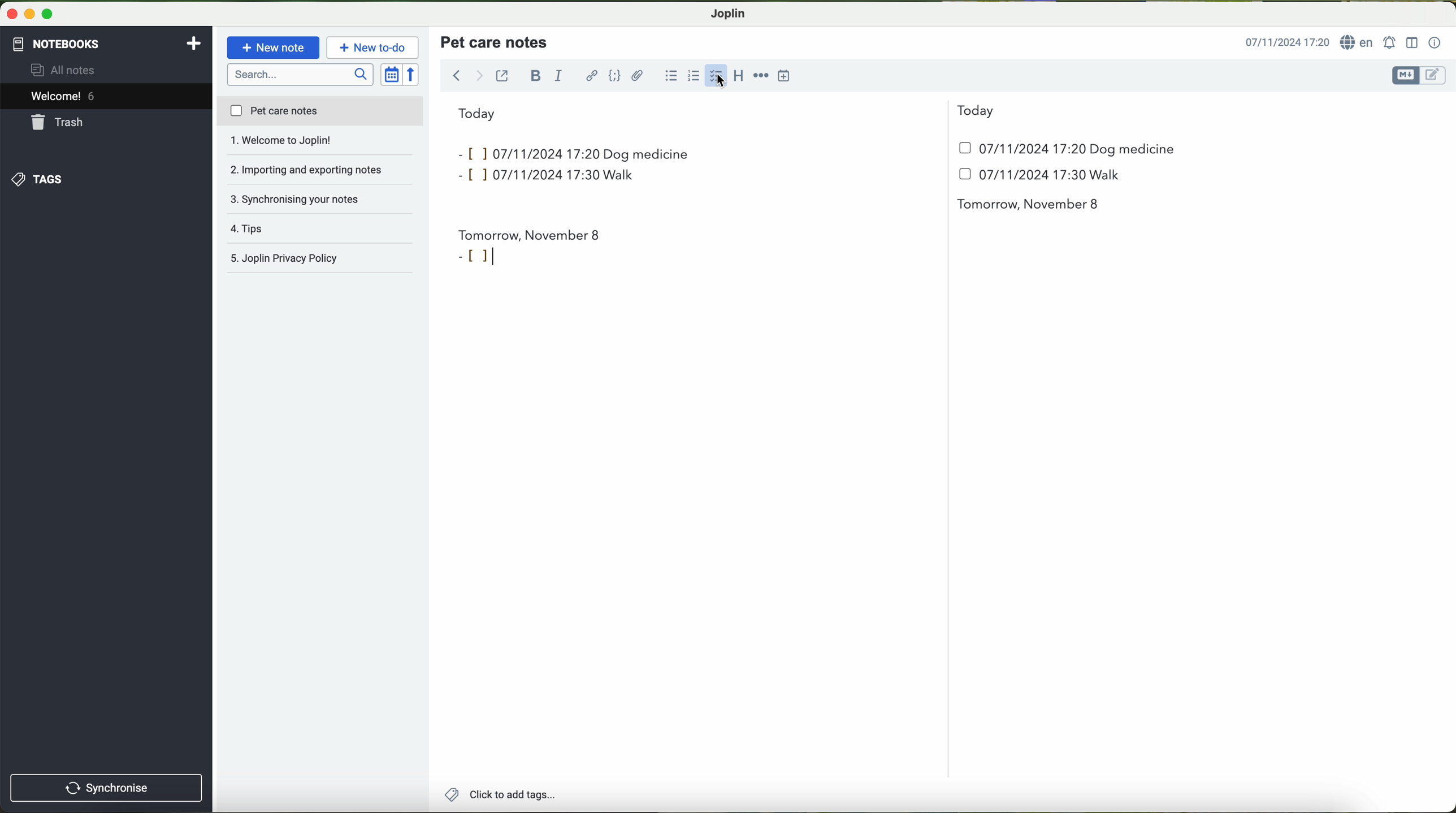 The height and width of the screenshot is (813, 1456). I want to click on reverse sort order, so click(414, 75).